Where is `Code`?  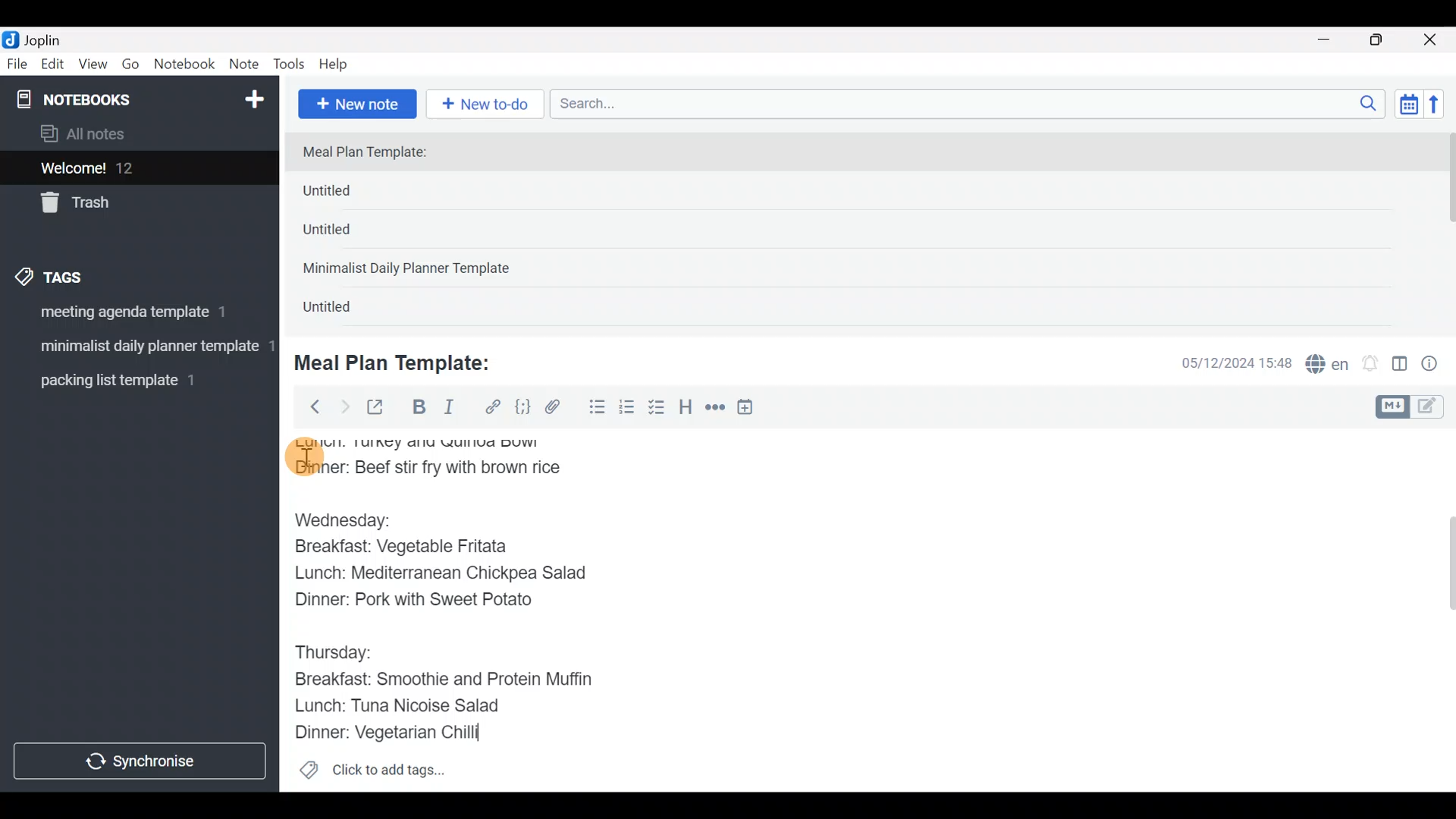
Code is located at coordinates (521, 406).